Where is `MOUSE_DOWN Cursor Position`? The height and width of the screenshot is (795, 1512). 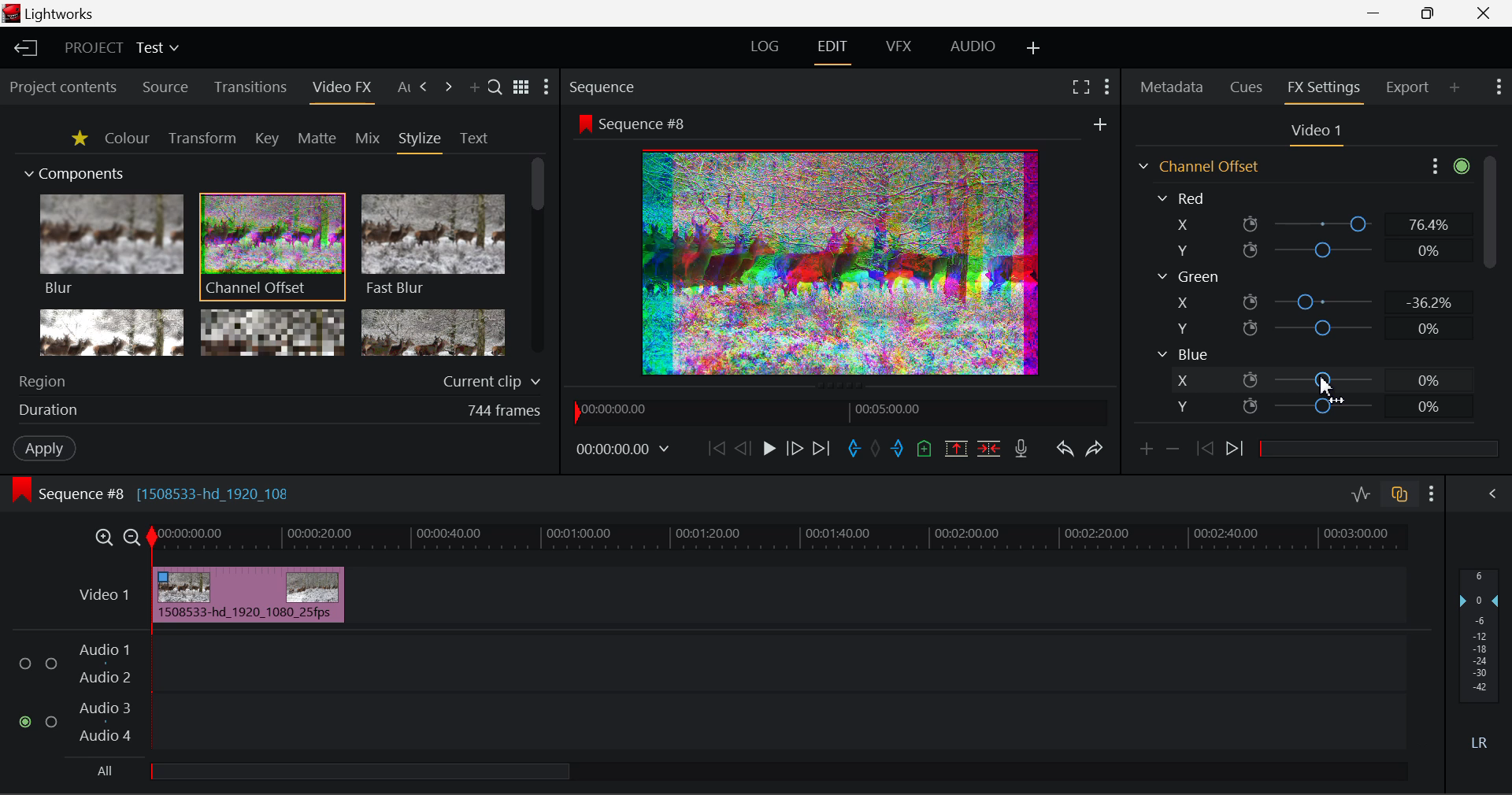
MOUSE_DOWN Cursor Position is located at coordinates (1321, 383).